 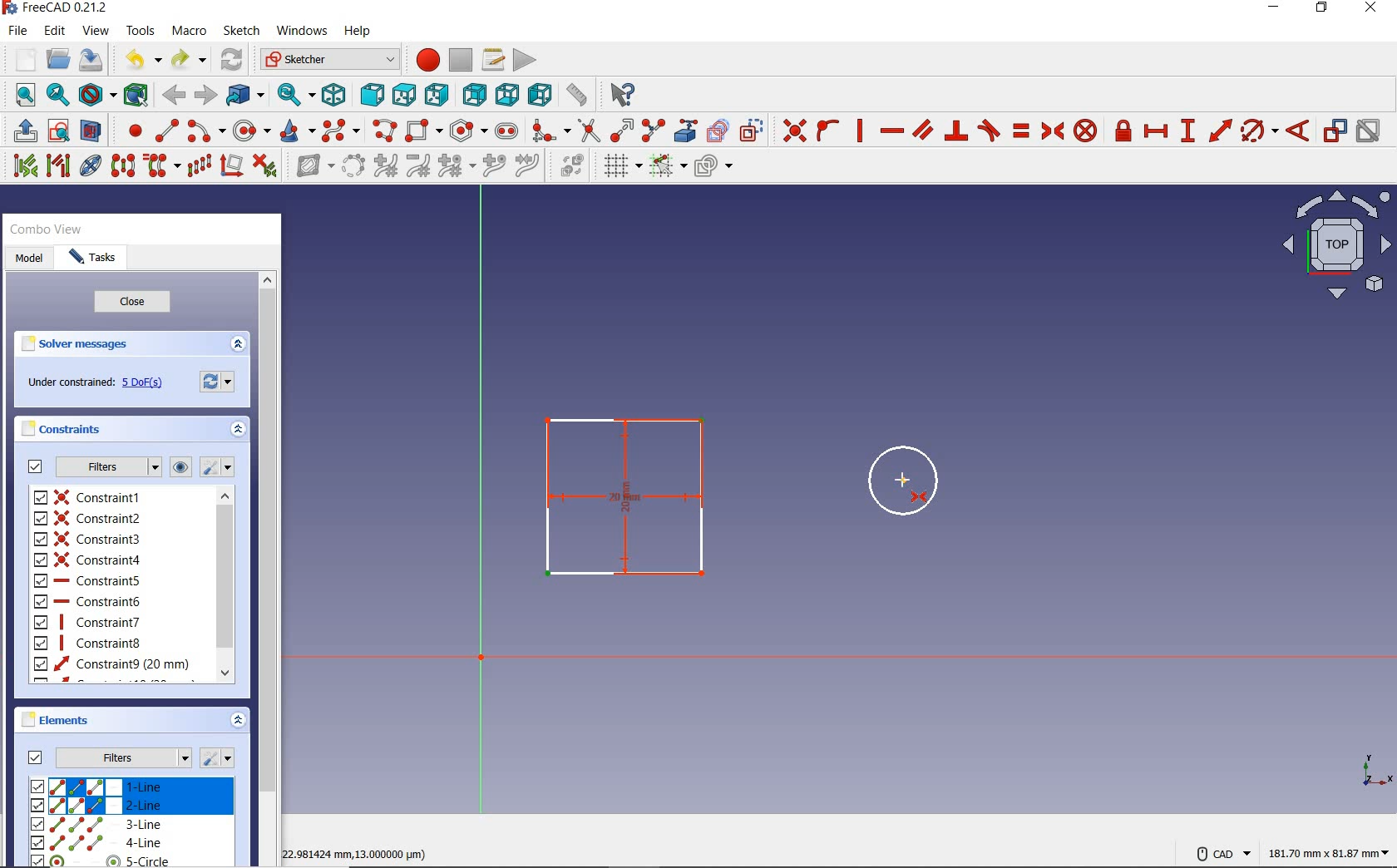 What do you see at coordinates (713, 169) in the screenshot?
I see `configure rendering order` at bounding box center [713, 169].